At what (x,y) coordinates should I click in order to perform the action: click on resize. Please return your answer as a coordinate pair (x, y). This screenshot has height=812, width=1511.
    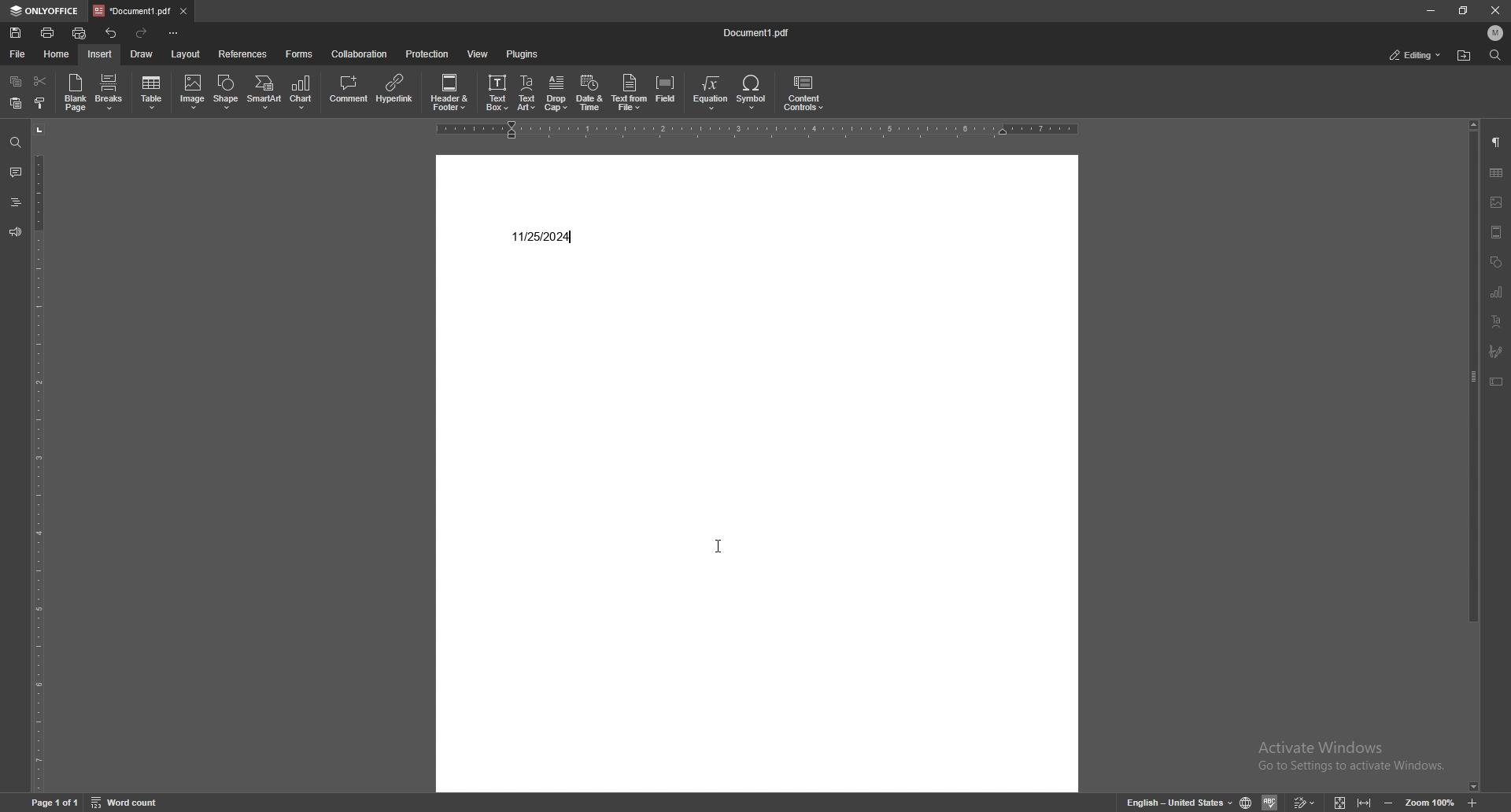
    Looking at the image, I should click on (1464, 10).